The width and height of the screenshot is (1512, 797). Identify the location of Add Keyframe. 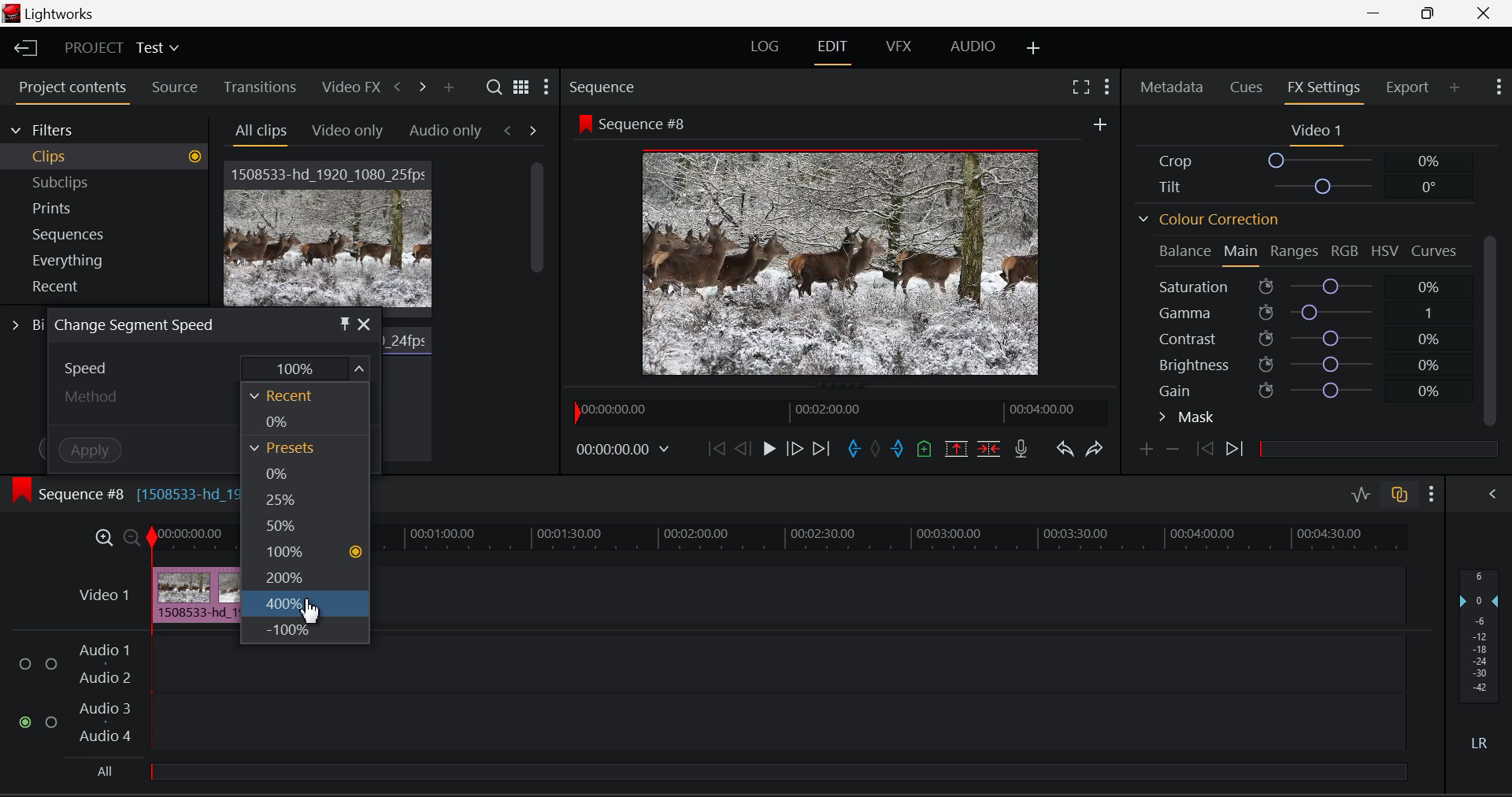
(1147, 450).